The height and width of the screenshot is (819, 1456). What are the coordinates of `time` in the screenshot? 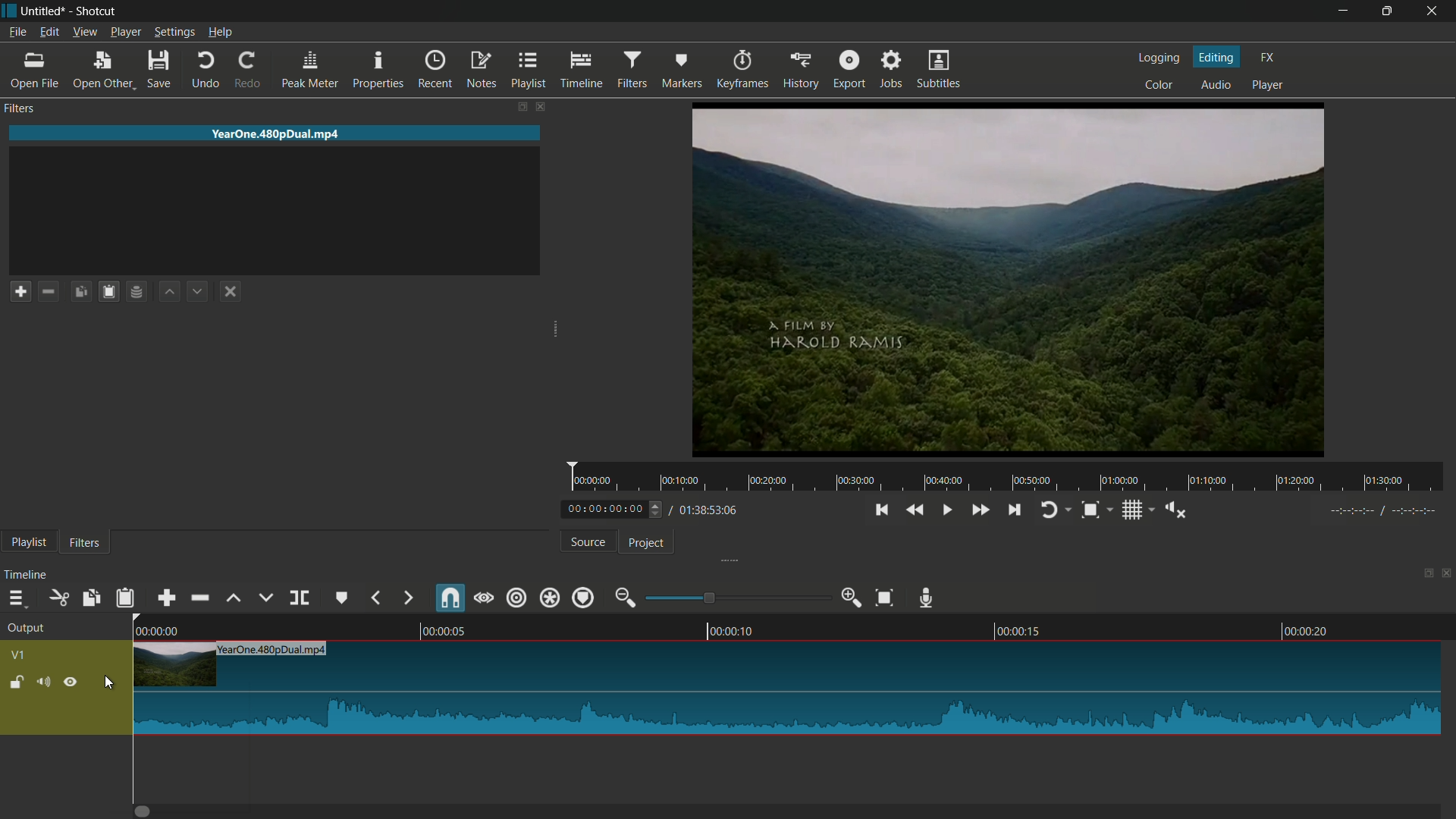 It's located at (1012, 477).